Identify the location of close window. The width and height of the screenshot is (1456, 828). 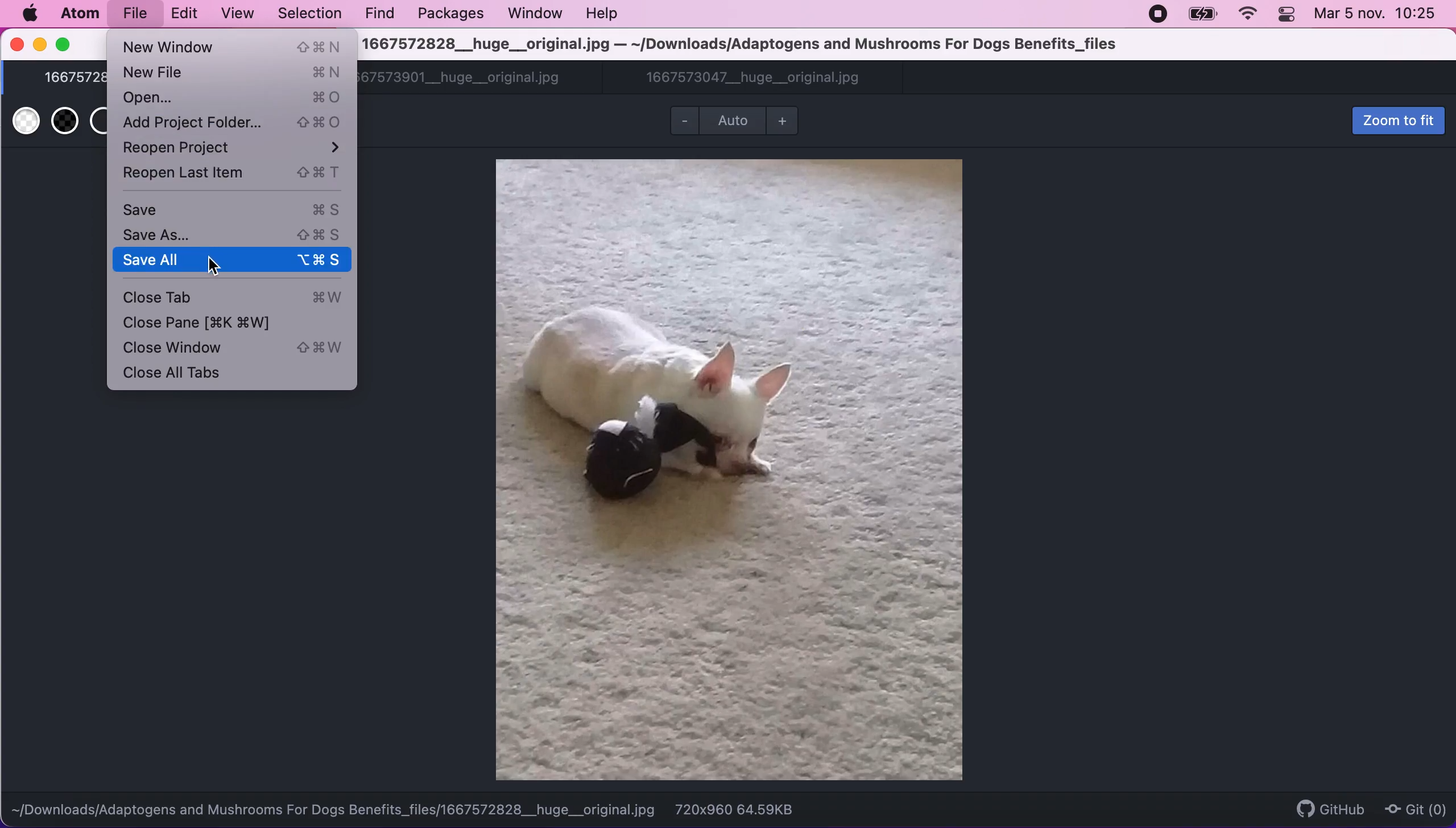
(233, 347).